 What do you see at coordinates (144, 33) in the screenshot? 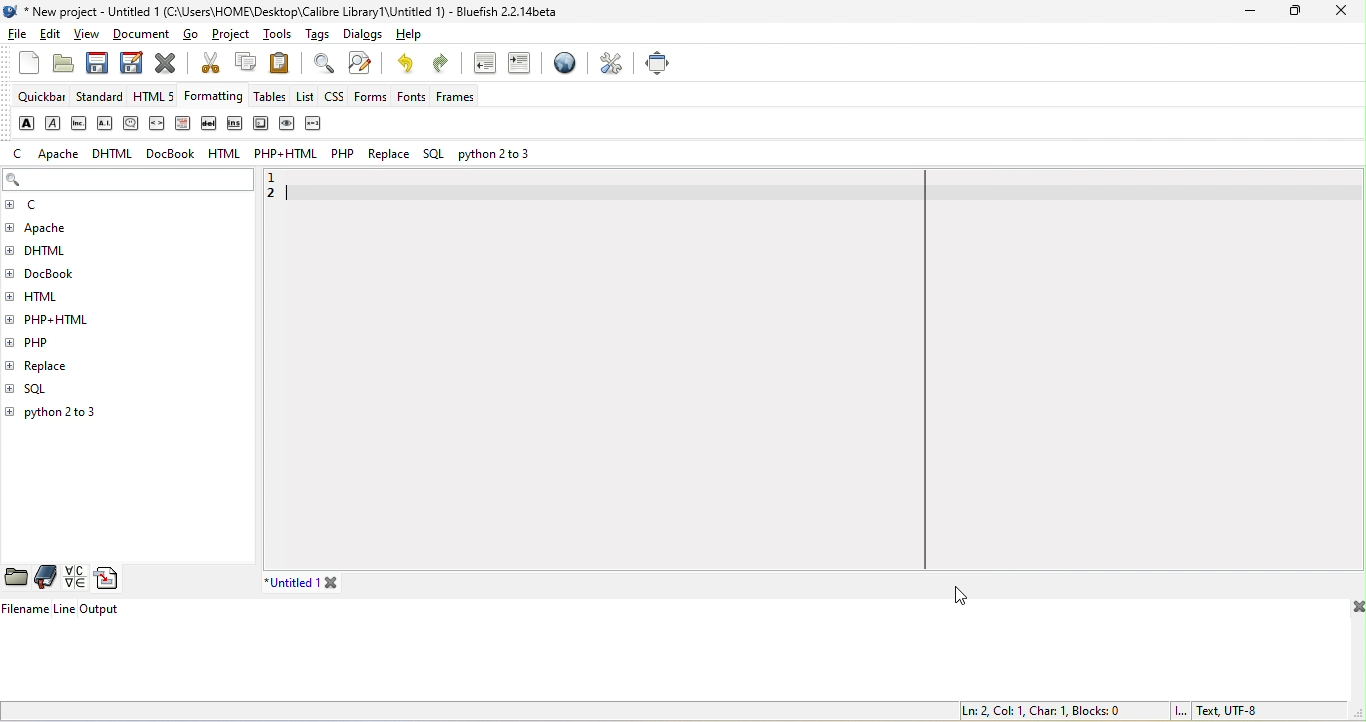
I see `document` at bounding box center [144, 33].